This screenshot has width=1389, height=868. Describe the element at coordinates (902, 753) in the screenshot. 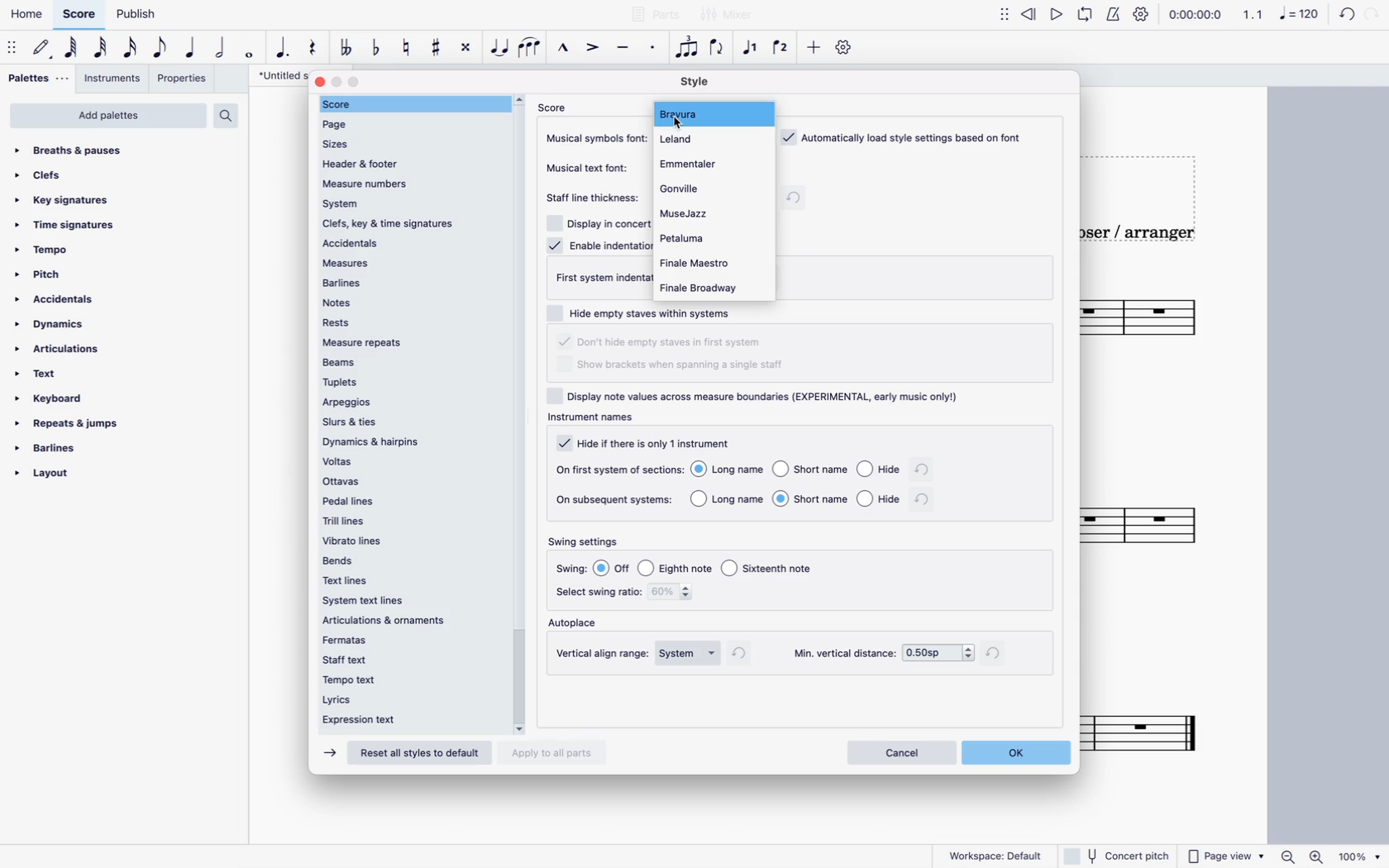

I see `cancel` at that location.